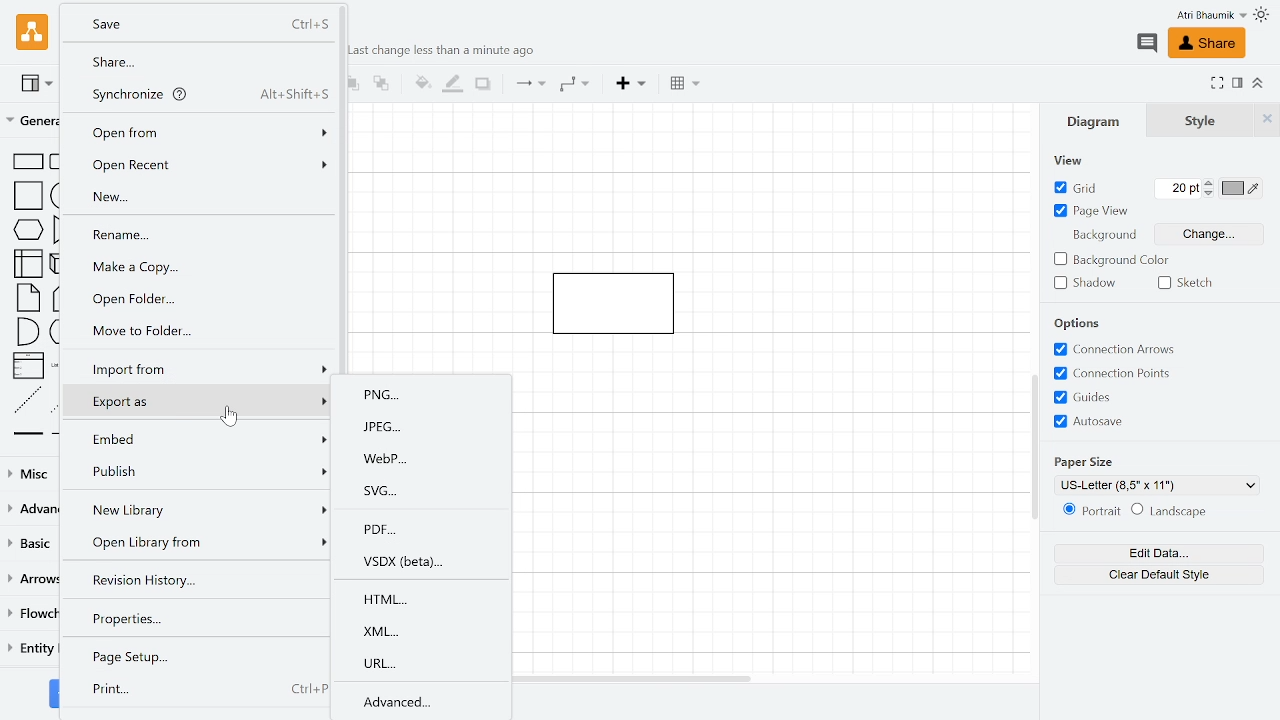  Describe the element at coordinates (426, 600) in the screenshot. I see `HTML` at that location.